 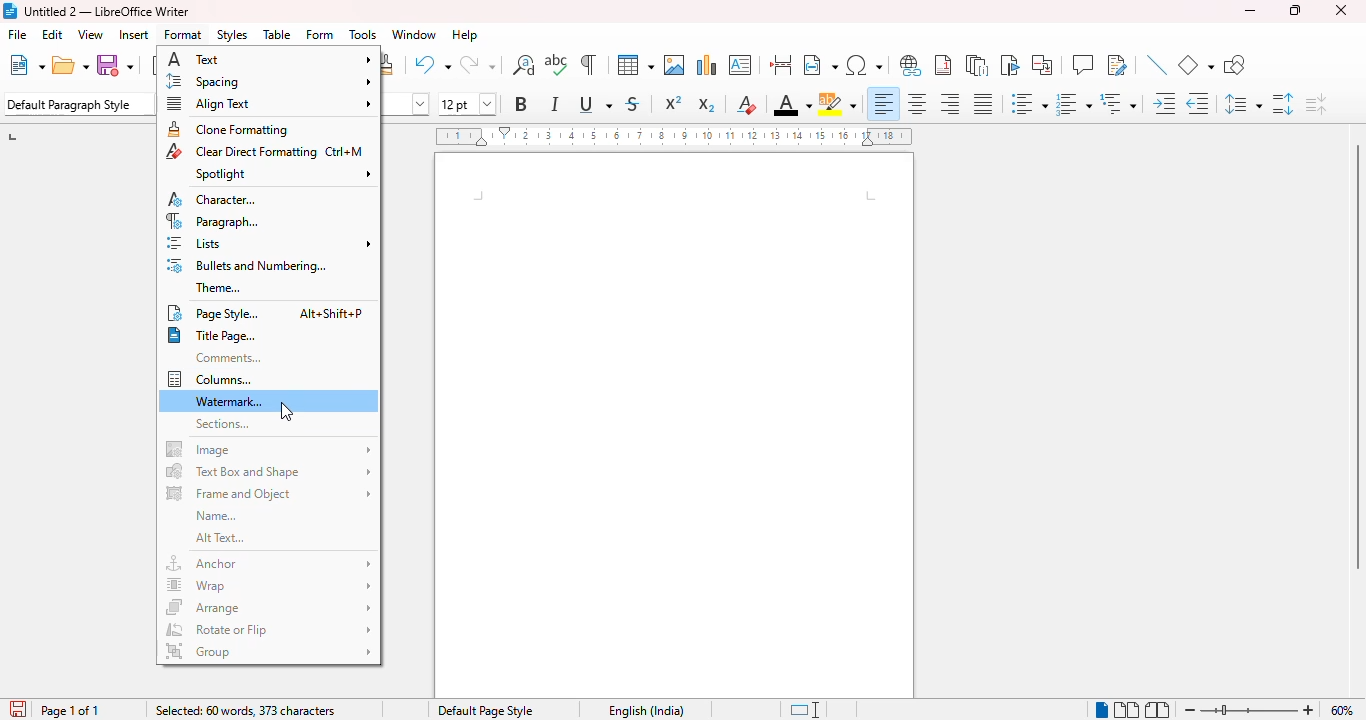 I want to click on spotlight, so click(x=283, y=174).